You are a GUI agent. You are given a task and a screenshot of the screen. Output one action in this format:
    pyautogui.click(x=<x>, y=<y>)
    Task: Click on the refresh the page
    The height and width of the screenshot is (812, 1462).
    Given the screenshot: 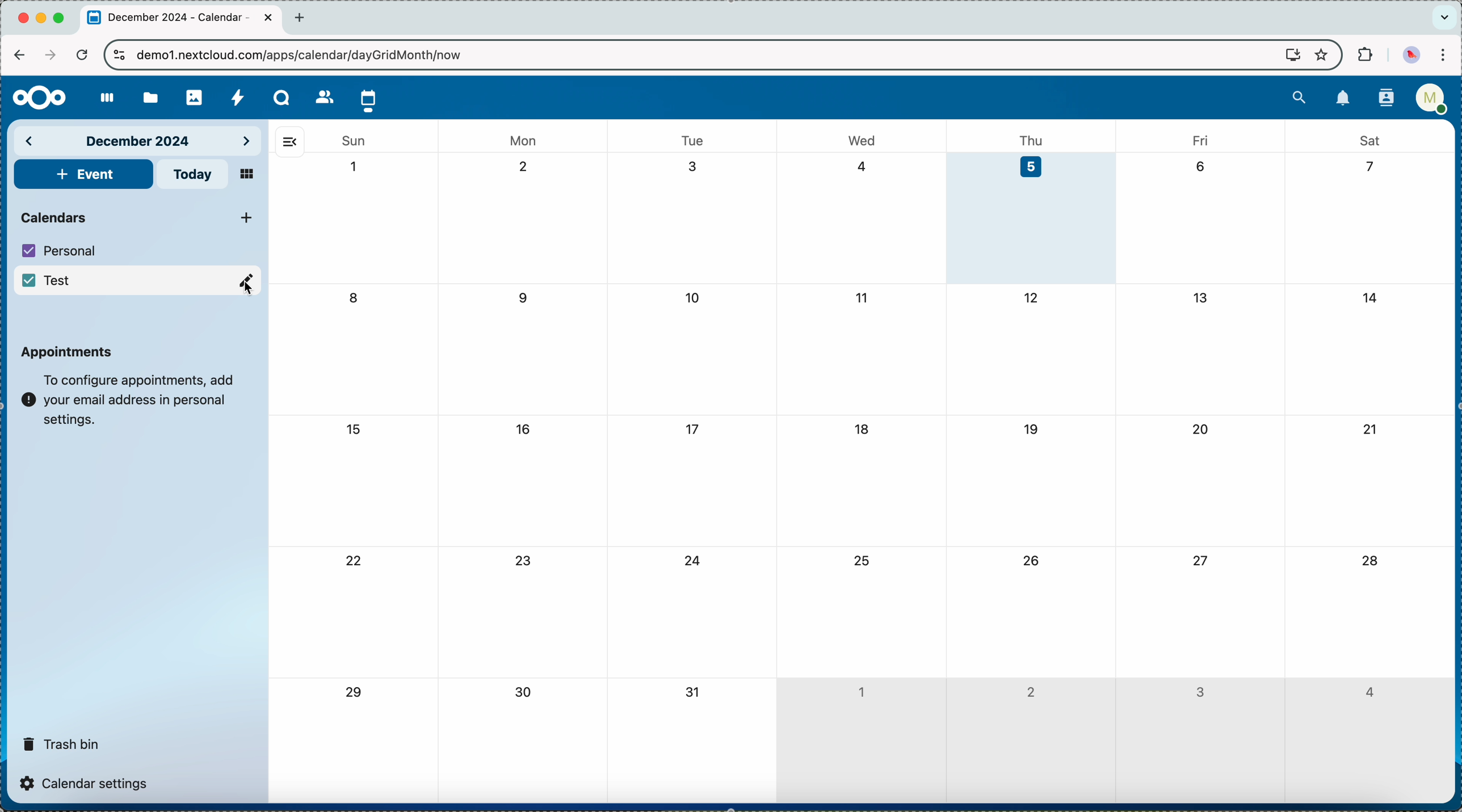 What is the action you would take?
    pyautogui.click(x=81, y=54)
    